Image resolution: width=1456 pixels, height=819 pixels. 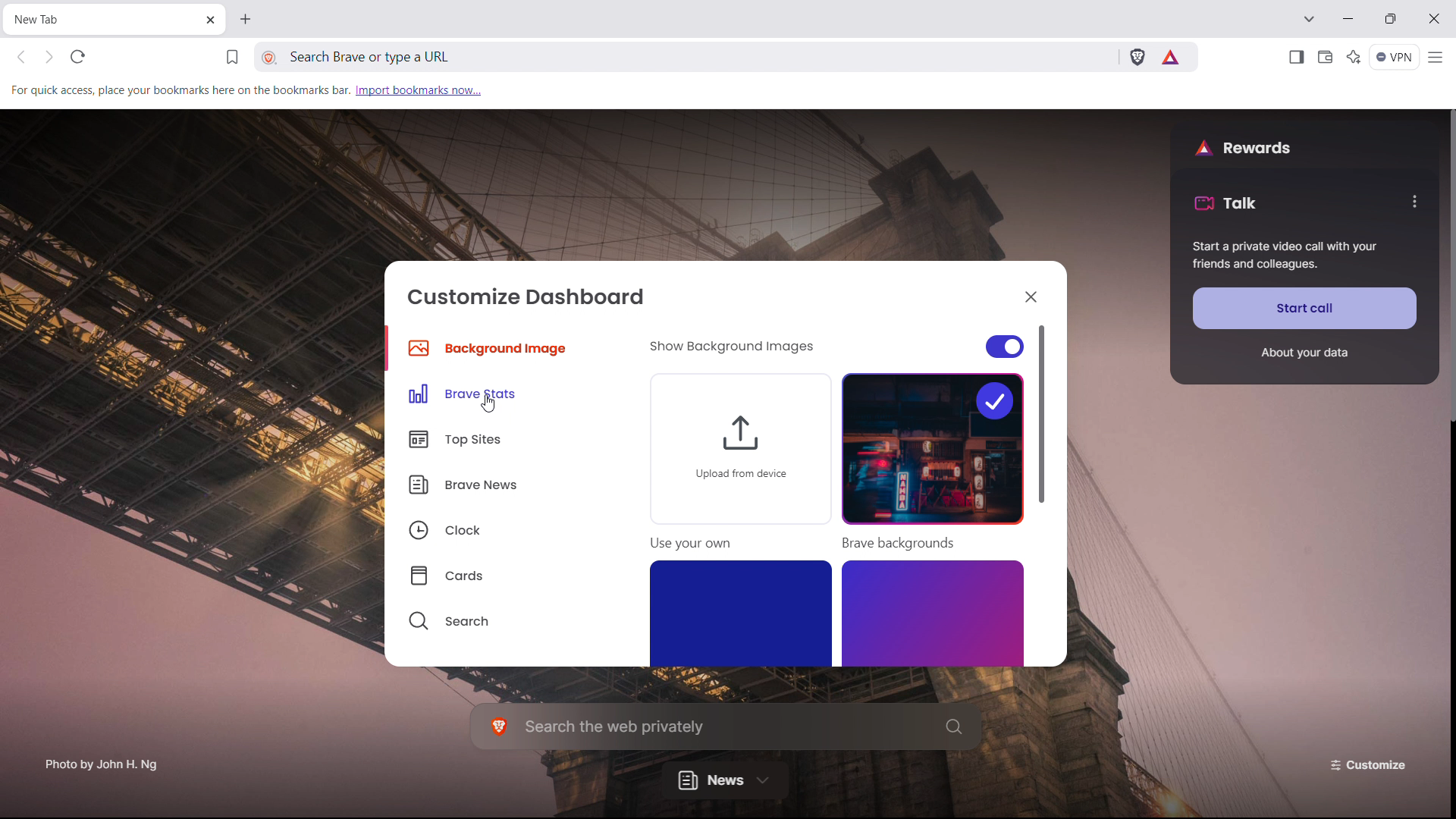 What do you see at coordinates (102, 759) in the screenshot?
I see `Photo by John H. Ng` at bounding box center [102, 759].